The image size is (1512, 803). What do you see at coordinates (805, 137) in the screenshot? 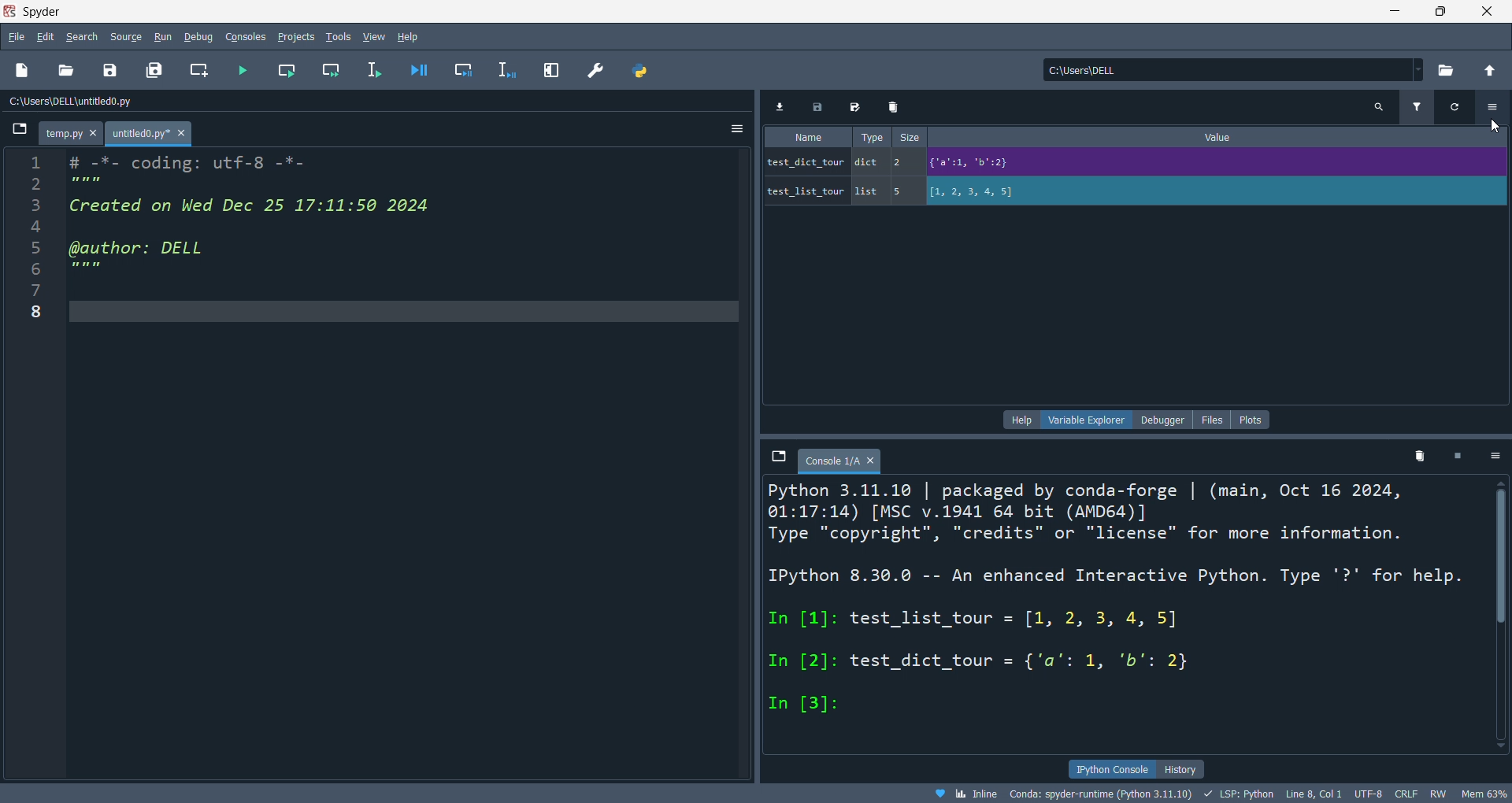
I see `name` at bounding box center [805, 137].